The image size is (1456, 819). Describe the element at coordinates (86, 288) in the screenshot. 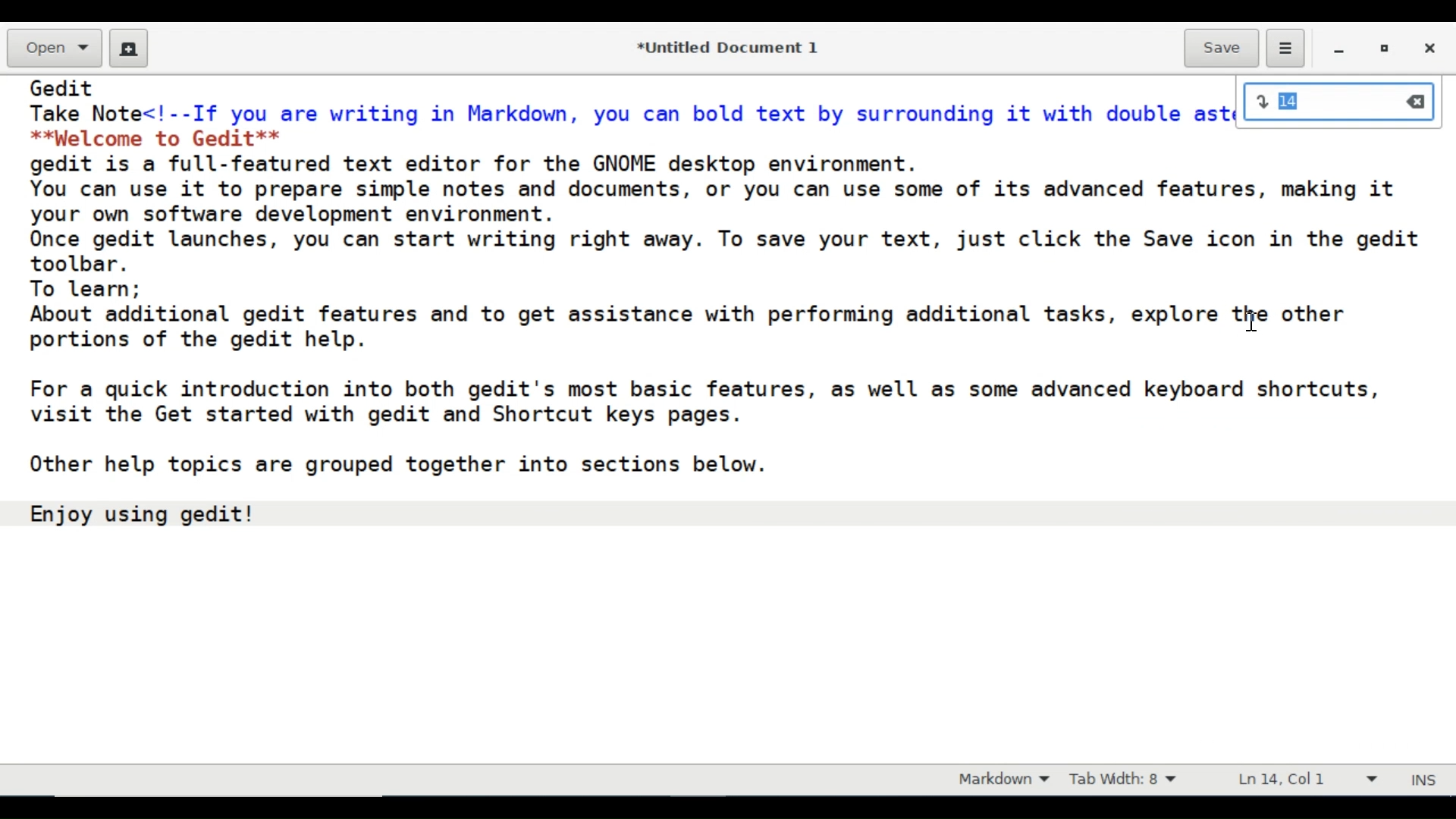

I see `To learn;` at that location.